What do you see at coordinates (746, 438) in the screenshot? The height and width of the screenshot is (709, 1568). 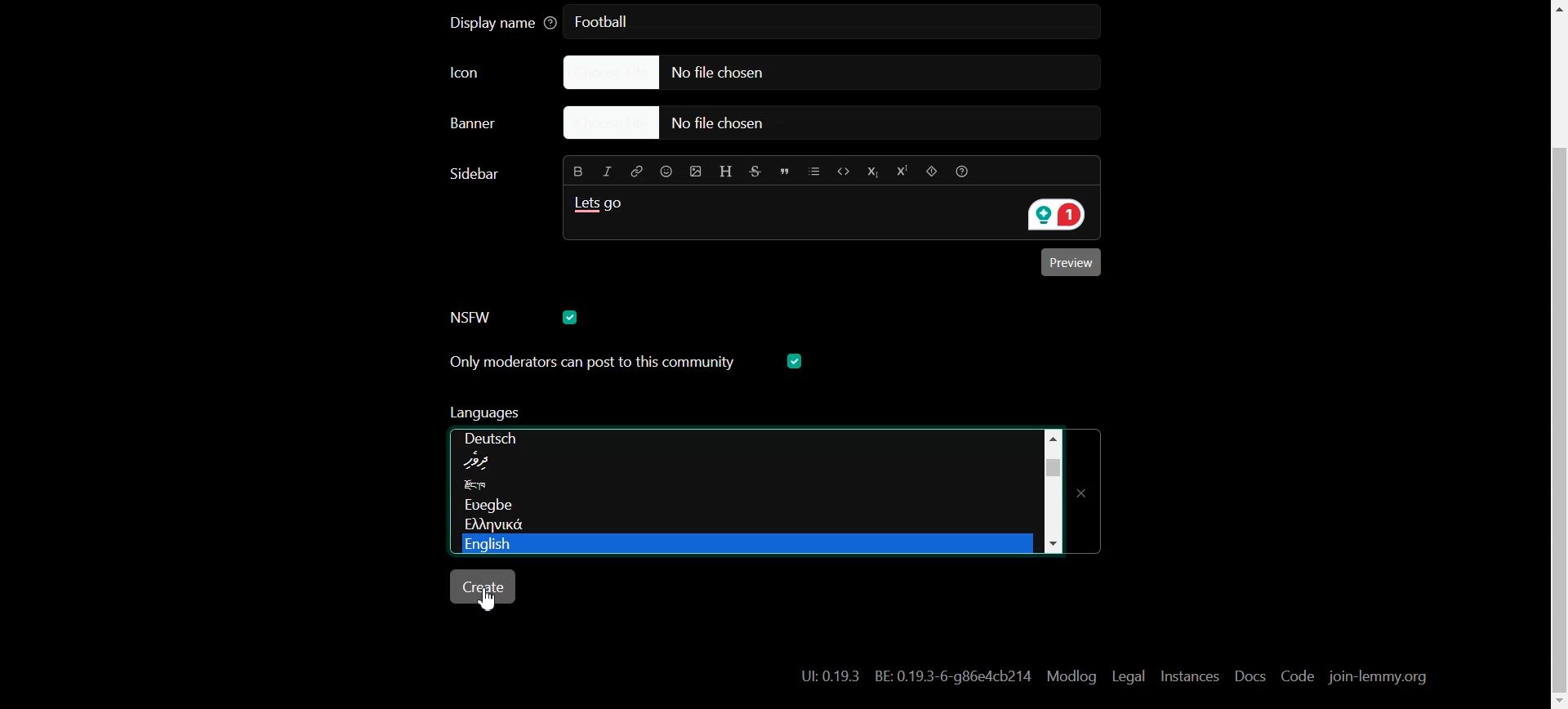 I see `Language` at bounding box center [746, 438].